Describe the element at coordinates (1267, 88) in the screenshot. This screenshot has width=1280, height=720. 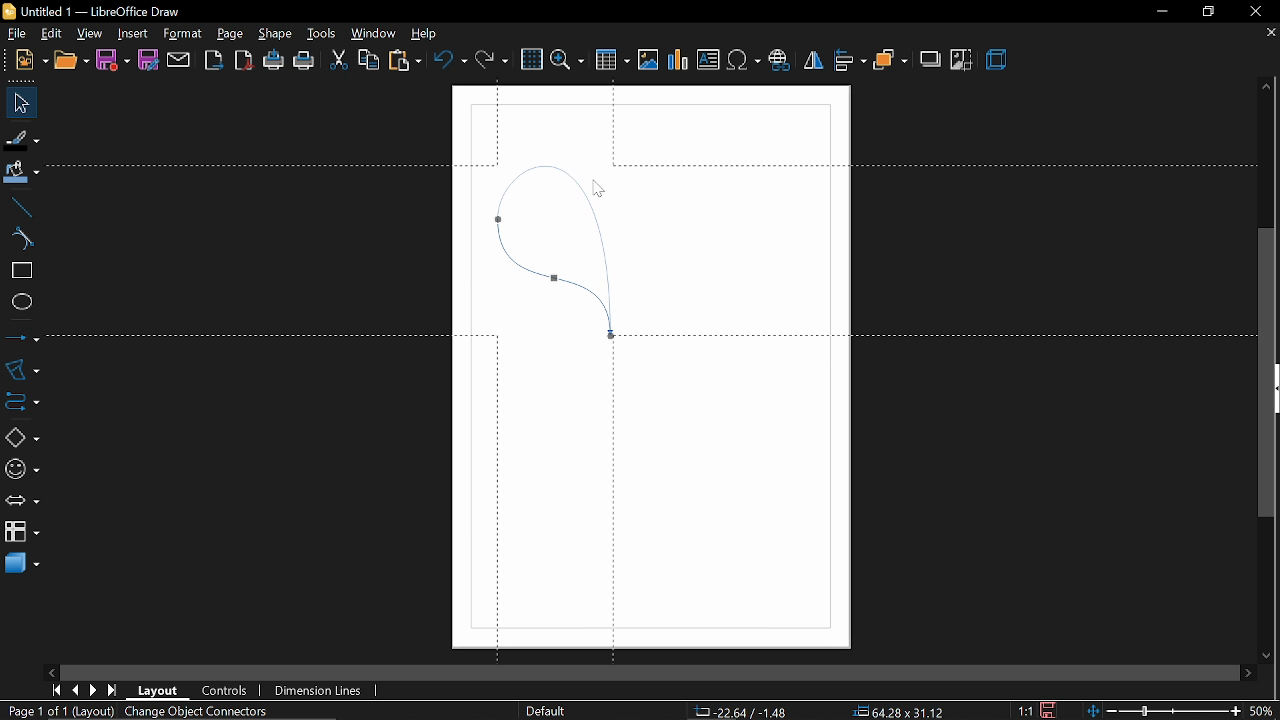
I see `move up` at that location.